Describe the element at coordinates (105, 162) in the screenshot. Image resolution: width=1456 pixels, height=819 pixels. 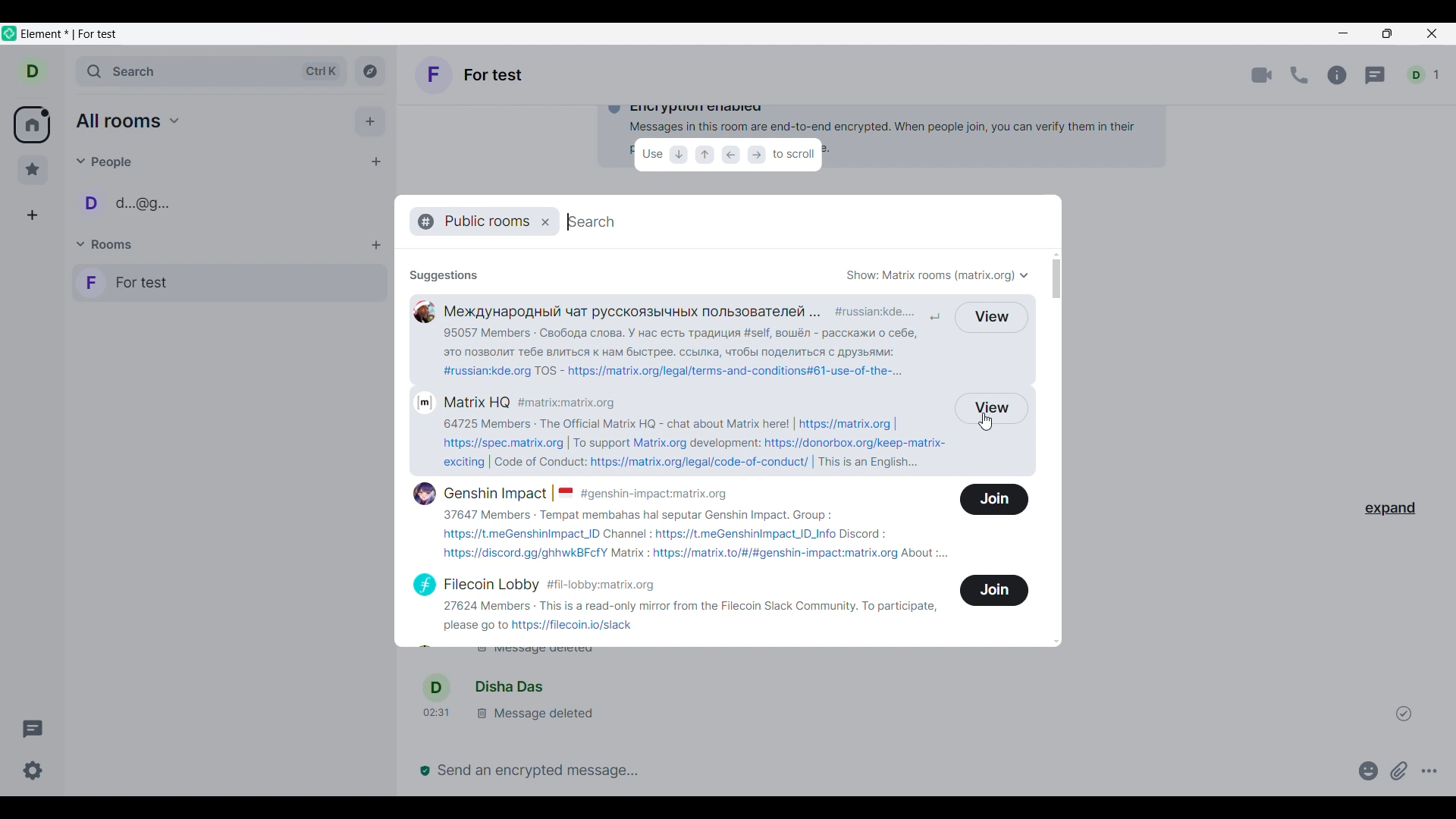
I see `People` at that location.